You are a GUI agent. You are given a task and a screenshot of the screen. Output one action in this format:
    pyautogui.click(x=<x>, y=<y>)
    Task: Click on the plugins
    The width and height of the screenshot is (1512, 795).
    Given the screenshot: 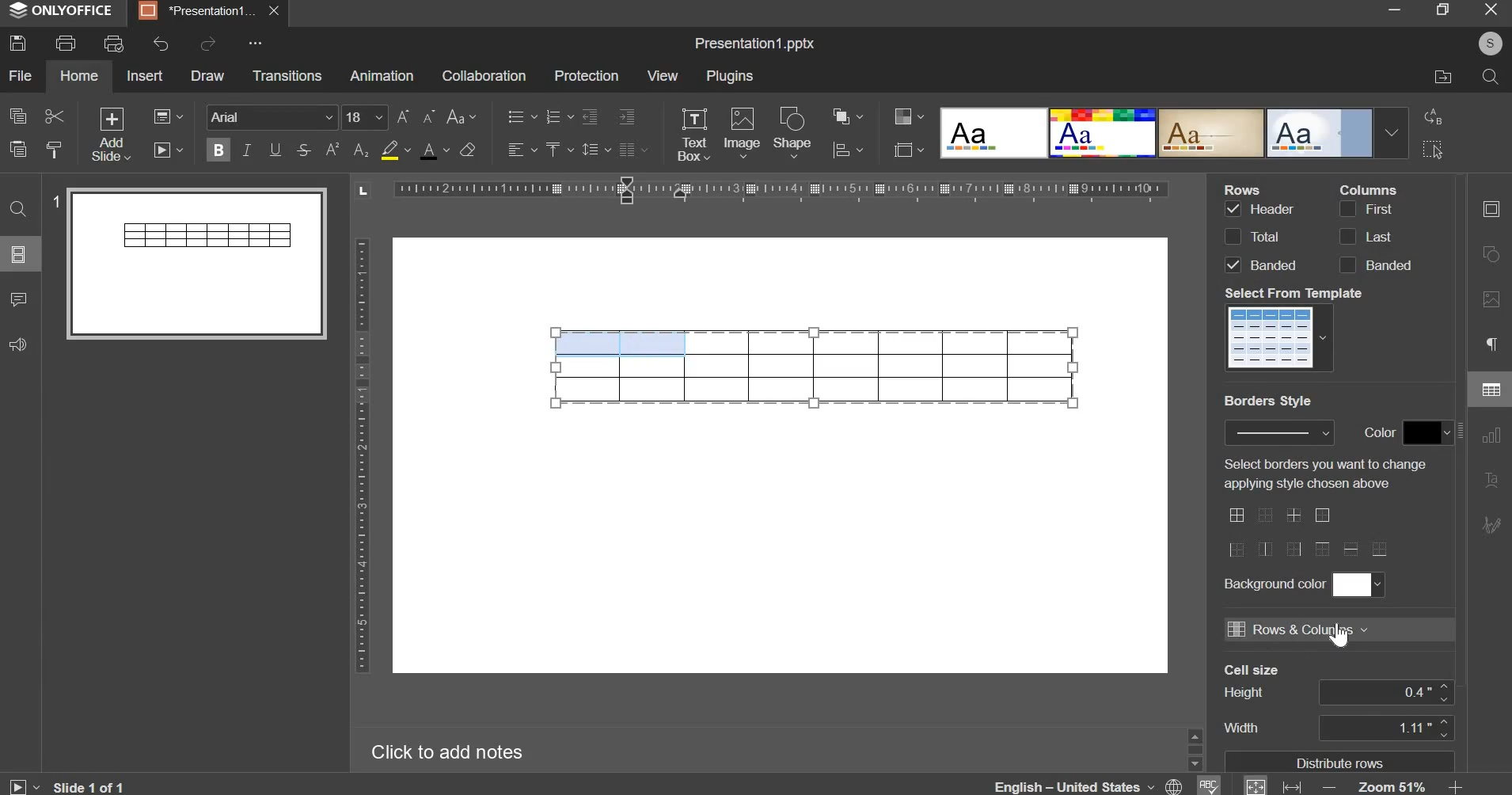 What is the action you would take?
    pyautogui.click(x=731, y=76)
    